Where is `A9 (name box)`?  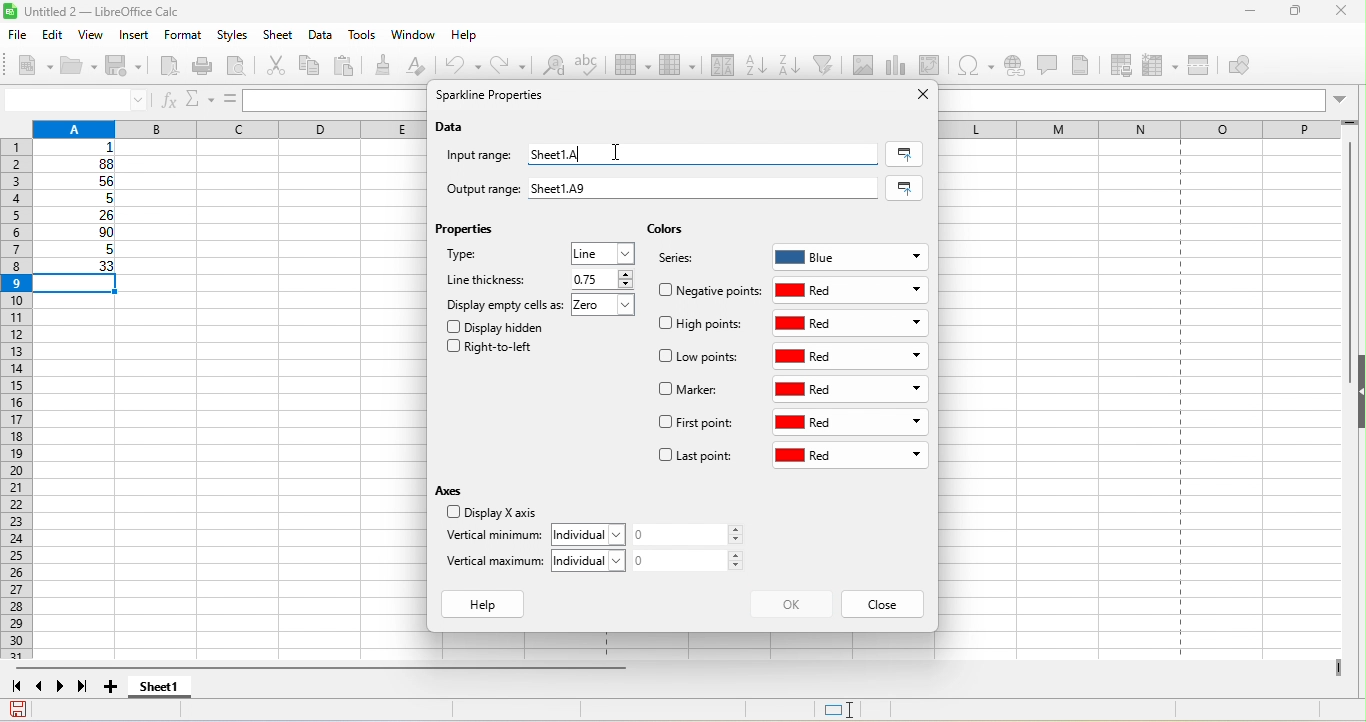 A9 (name box) is located at coordinates (75, 99).